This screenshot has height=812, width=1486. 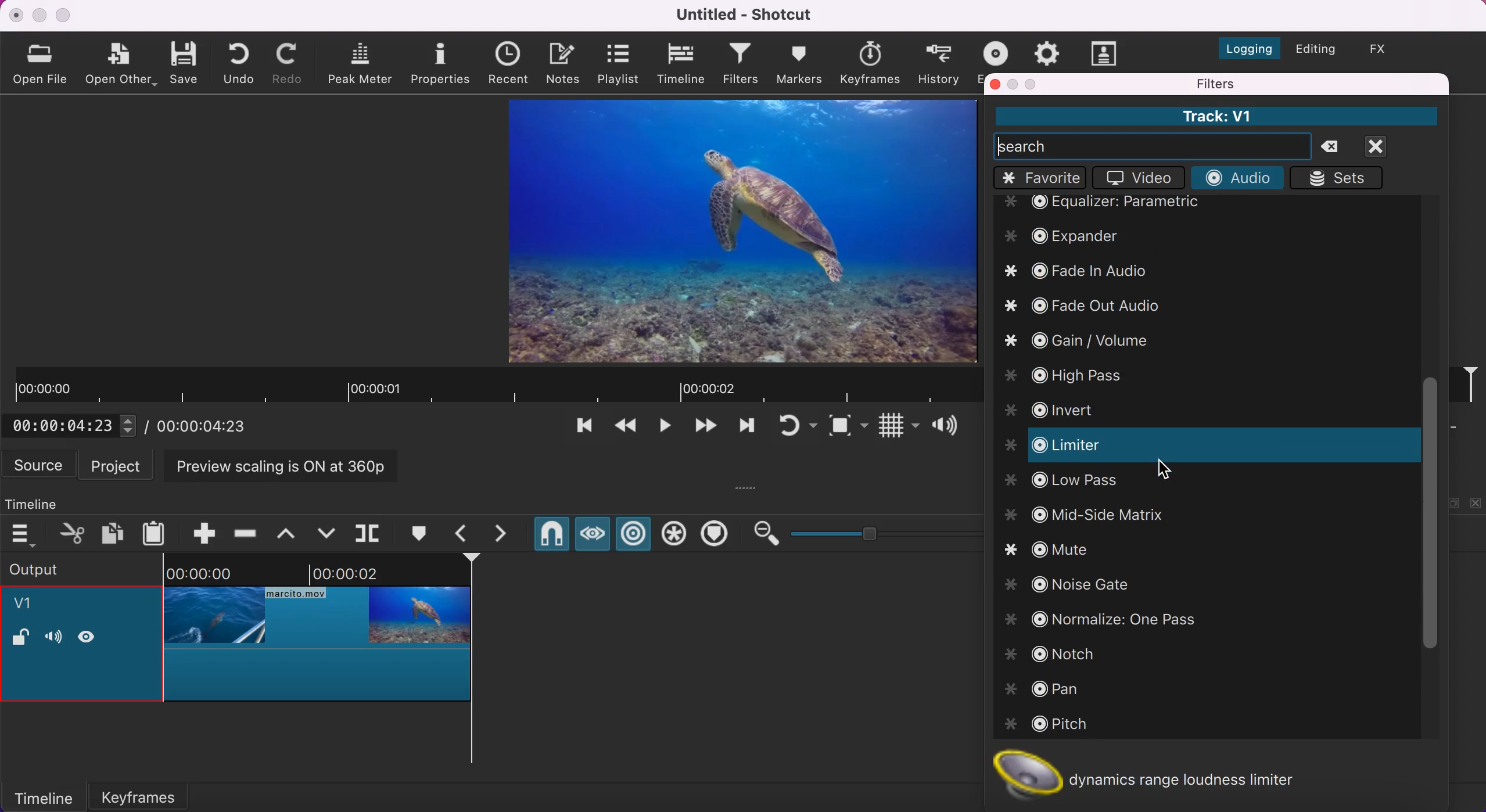 What do you see at coordinates (1336, 148) in the screenshot?
I see `delete` at bounding box center [1336, 148].